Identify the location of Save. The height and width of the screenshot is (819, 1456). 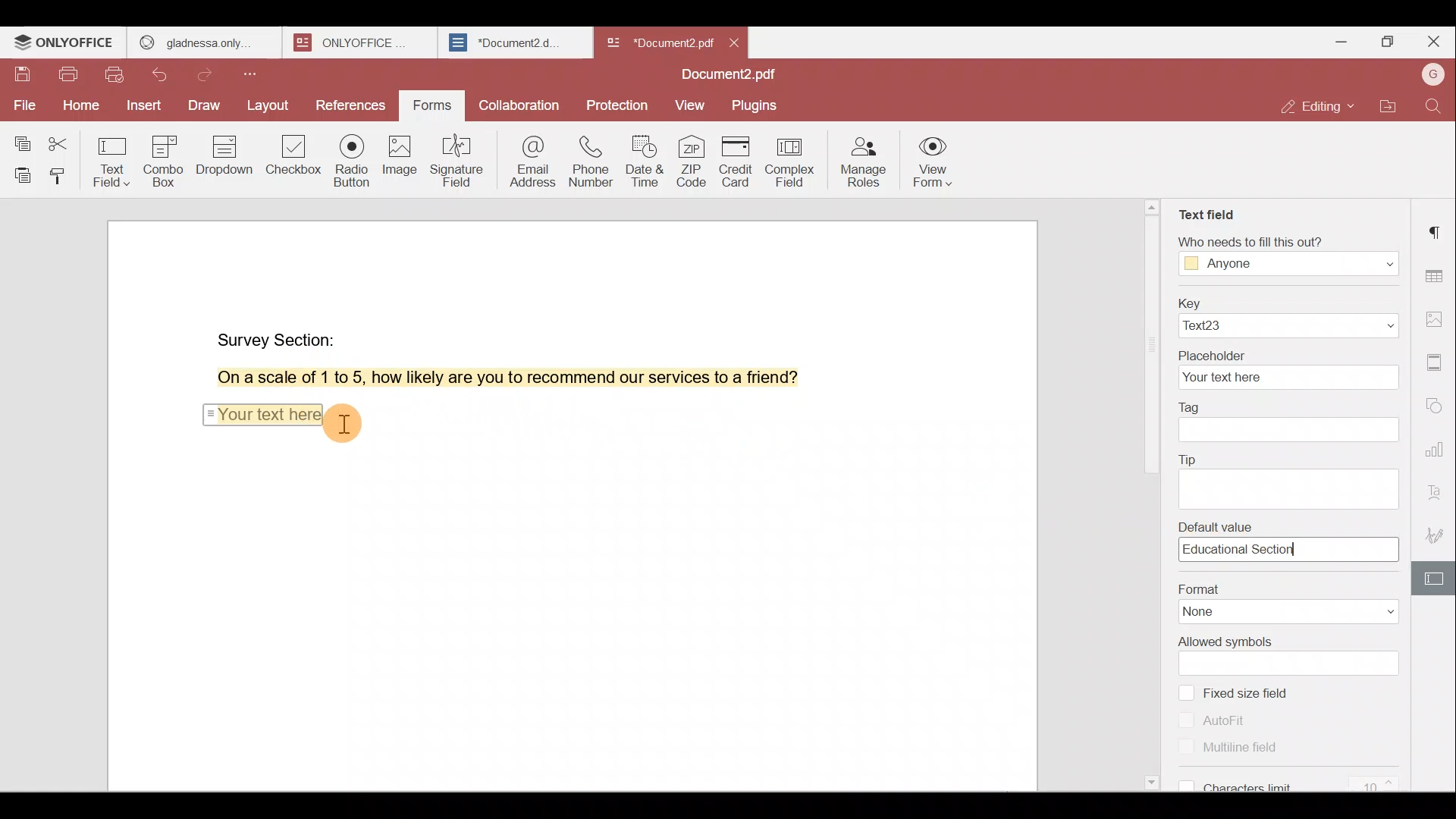
(22, 78).